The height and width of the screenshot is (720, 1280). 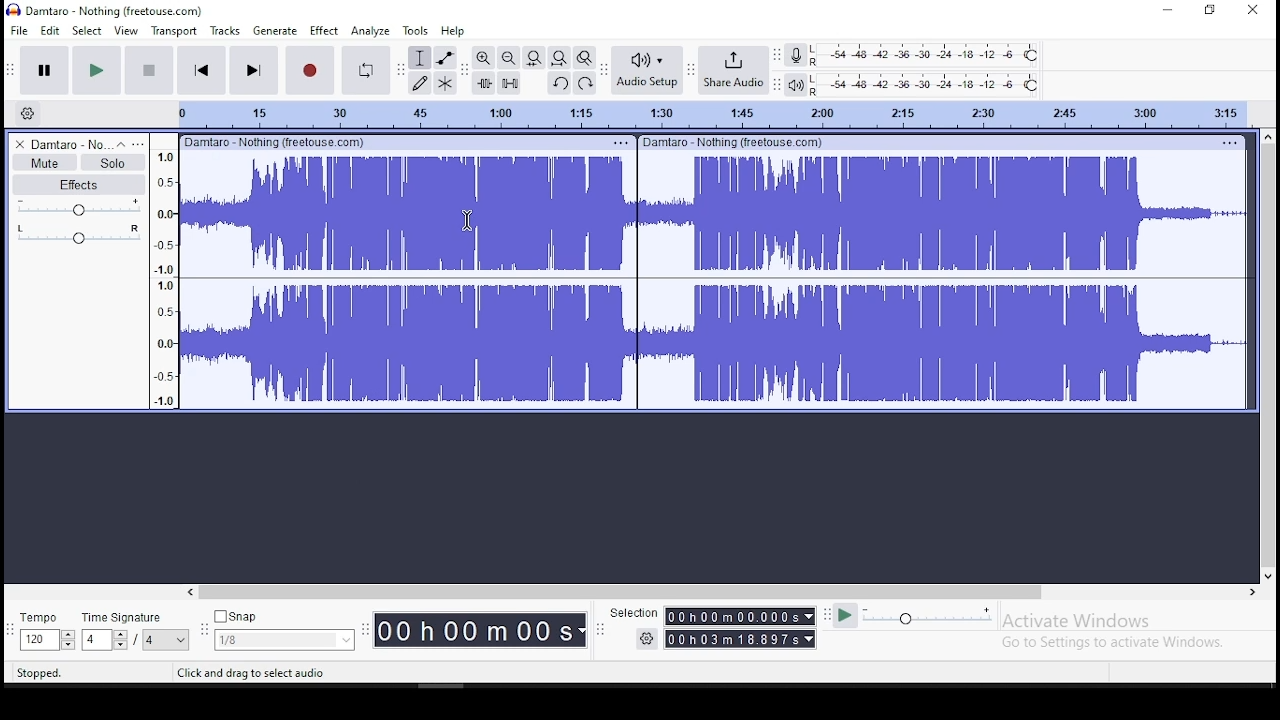 I want to click on play at speed, so click(x=846, y=617).